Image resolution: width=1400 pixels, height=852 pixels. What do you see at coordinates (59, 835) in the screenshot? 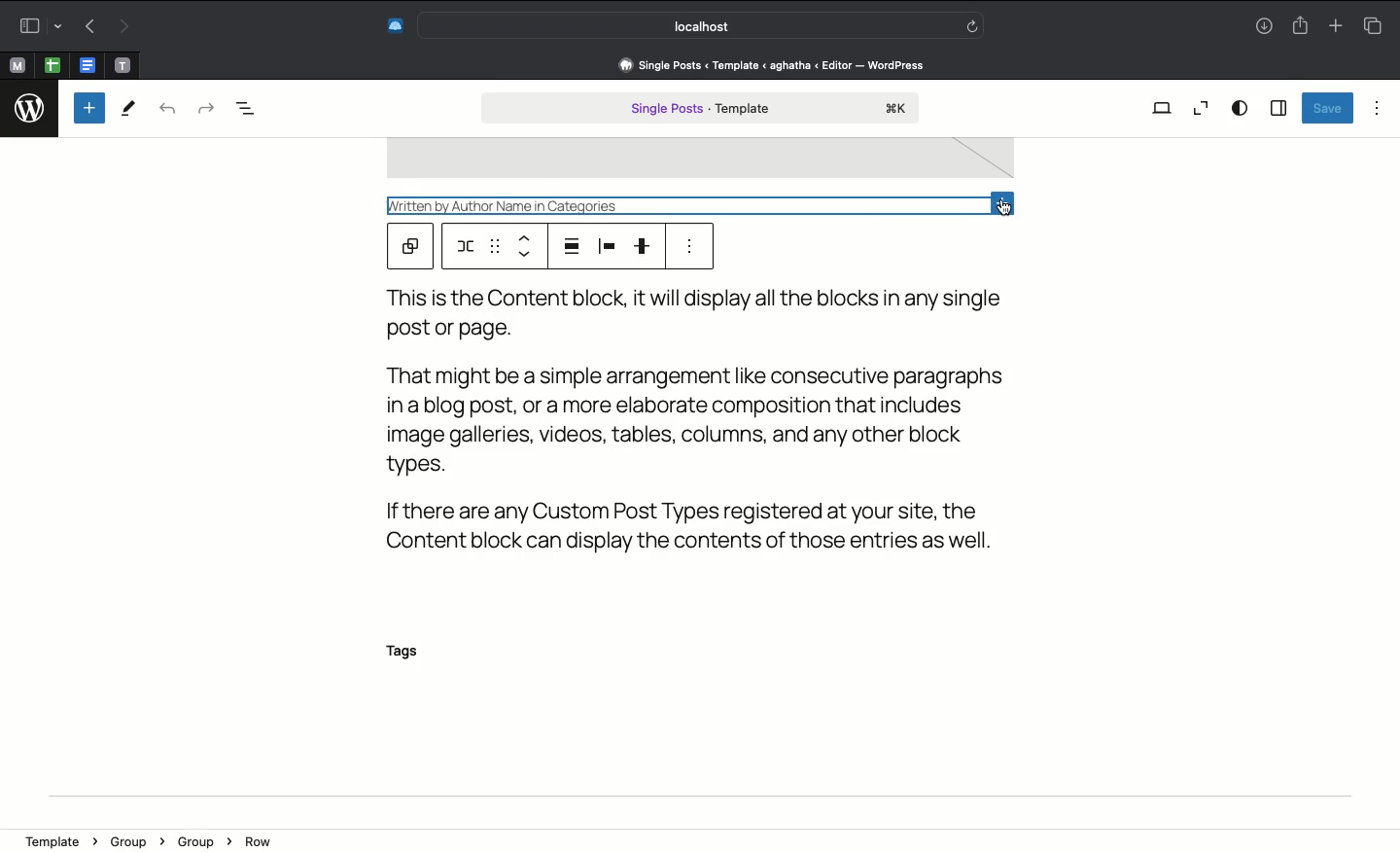
I see `template` at bounding box center [59, 835].